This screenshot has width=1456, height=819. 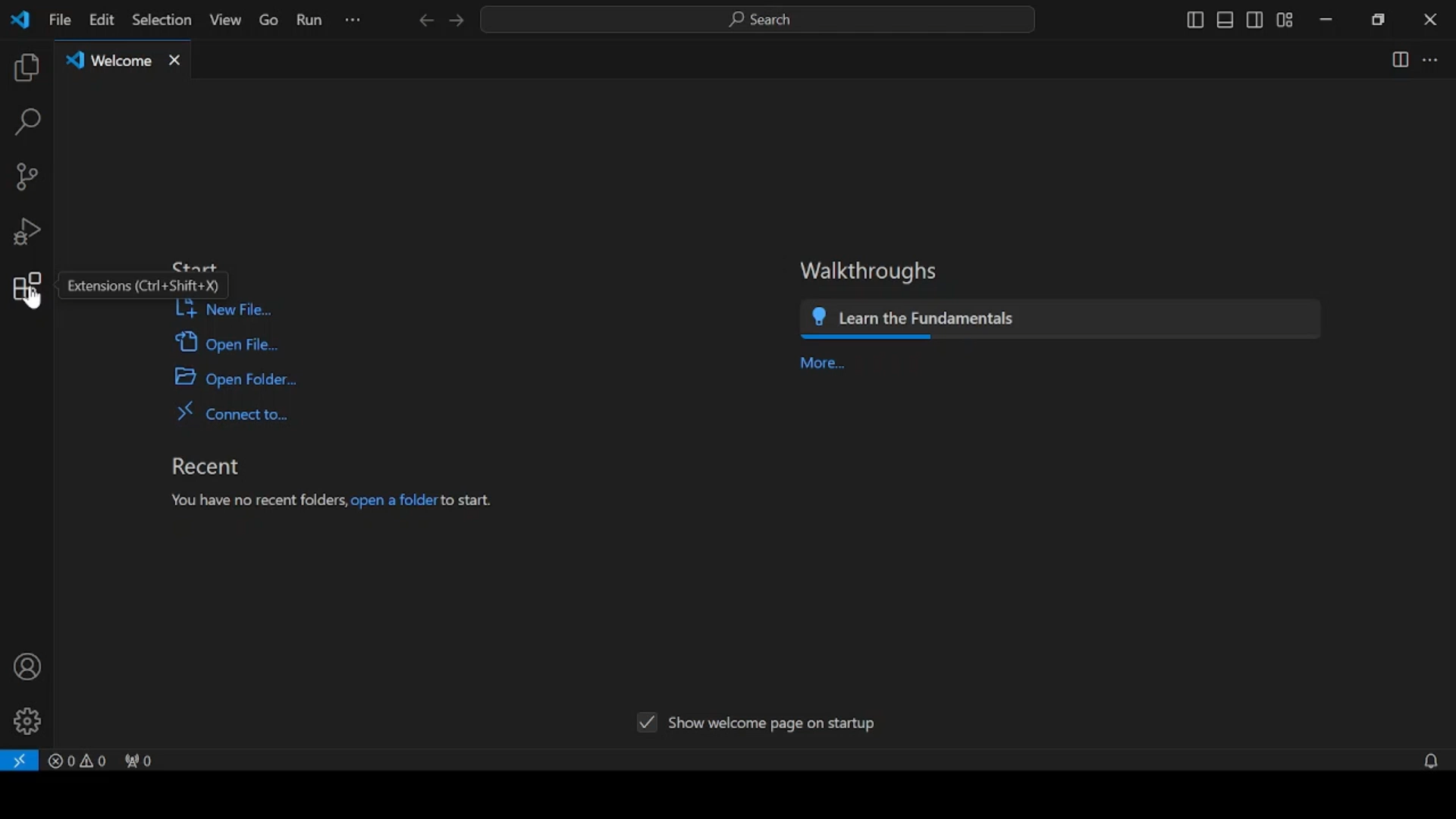 What do you see at coordinates (102, 20) in the screenshot?
I see `edit` at bounding box center [102, 20].